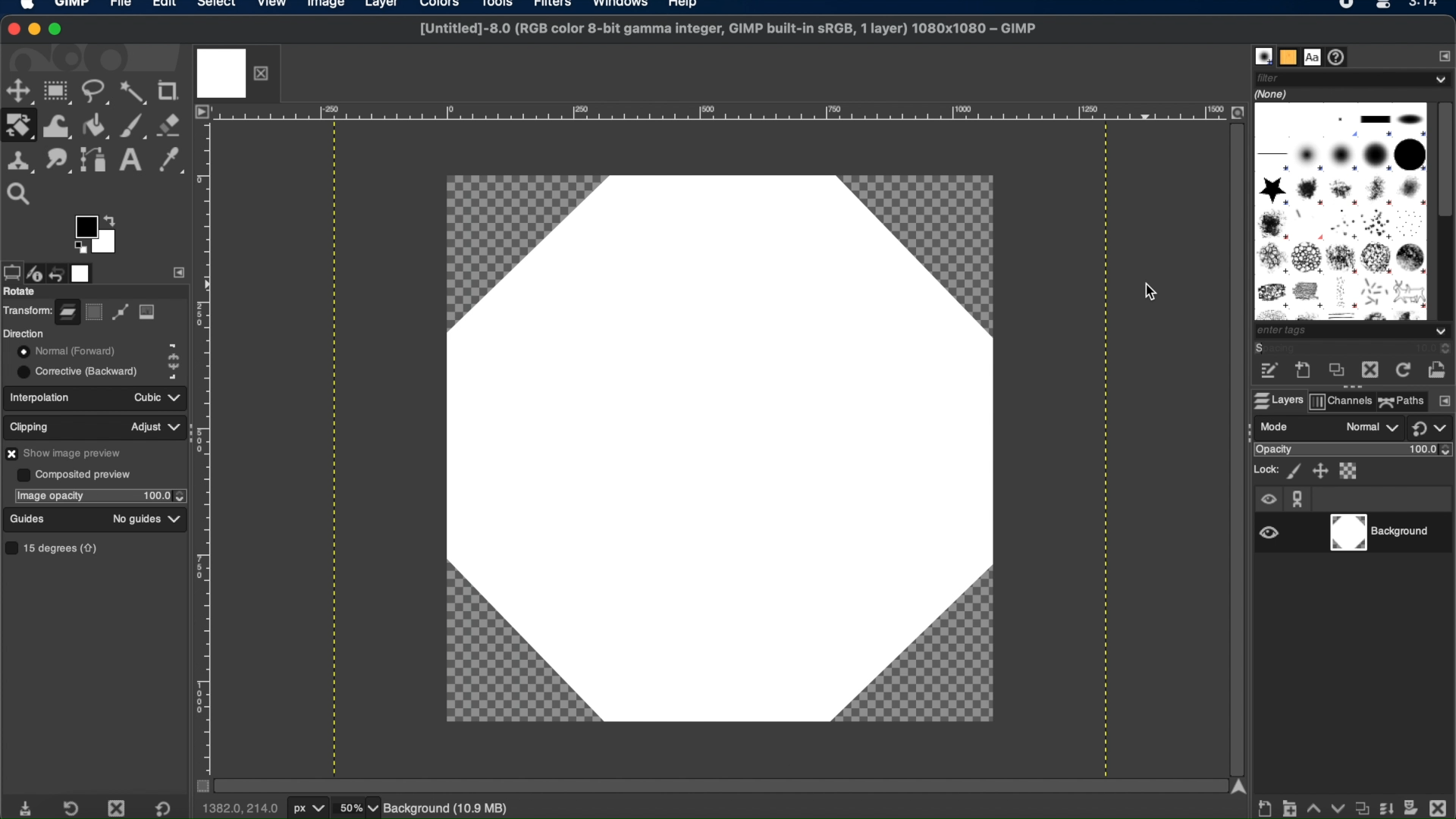 Image resolution: width=1456 pixels, height=819 pixels. Describe the element at coordinates (180, 271) in the screenshot. I see `side bar settings` at that location.